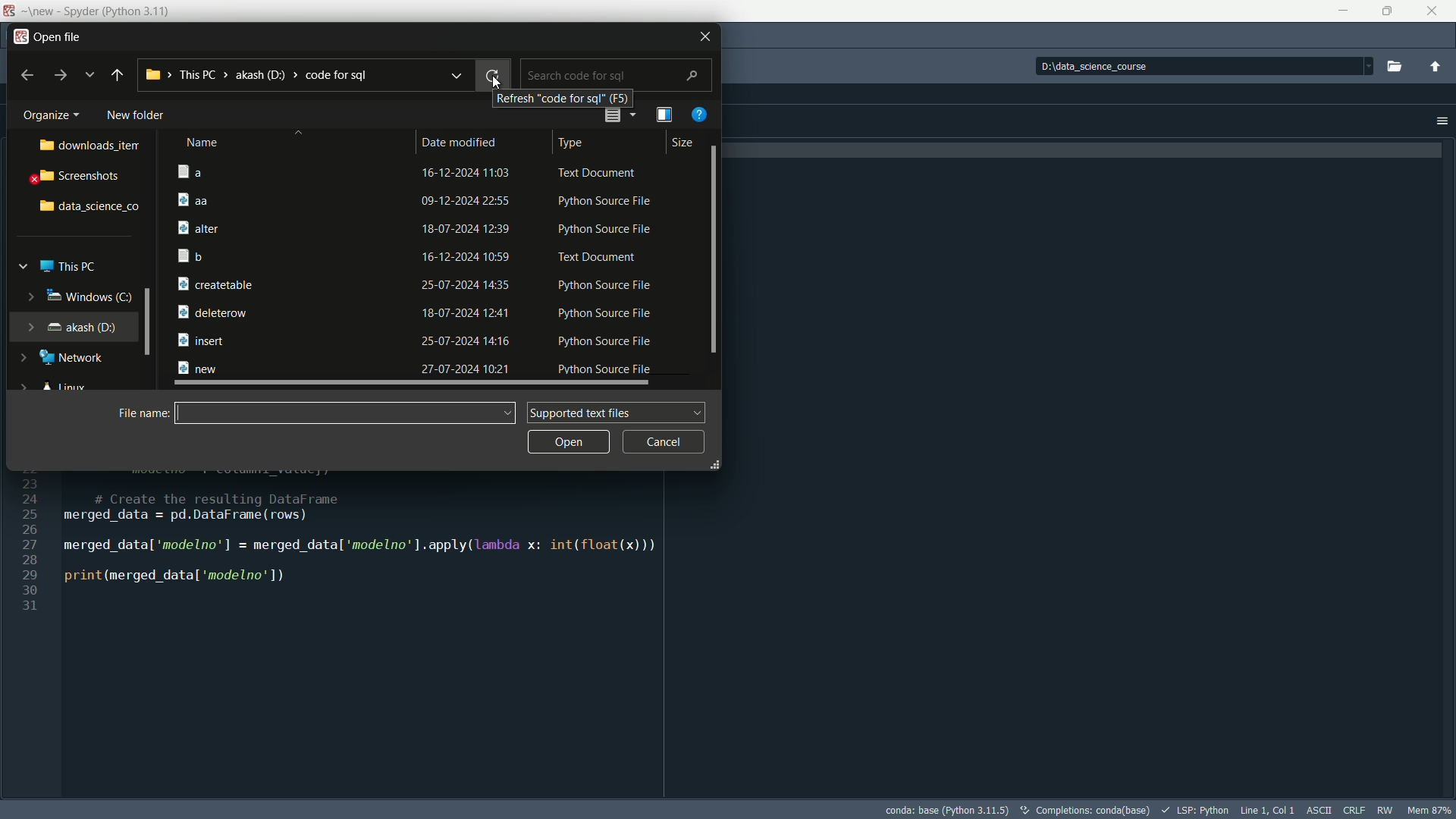 This screenshot has width=1456, height=819. I want to click on cursor position, so click(1269, 809).